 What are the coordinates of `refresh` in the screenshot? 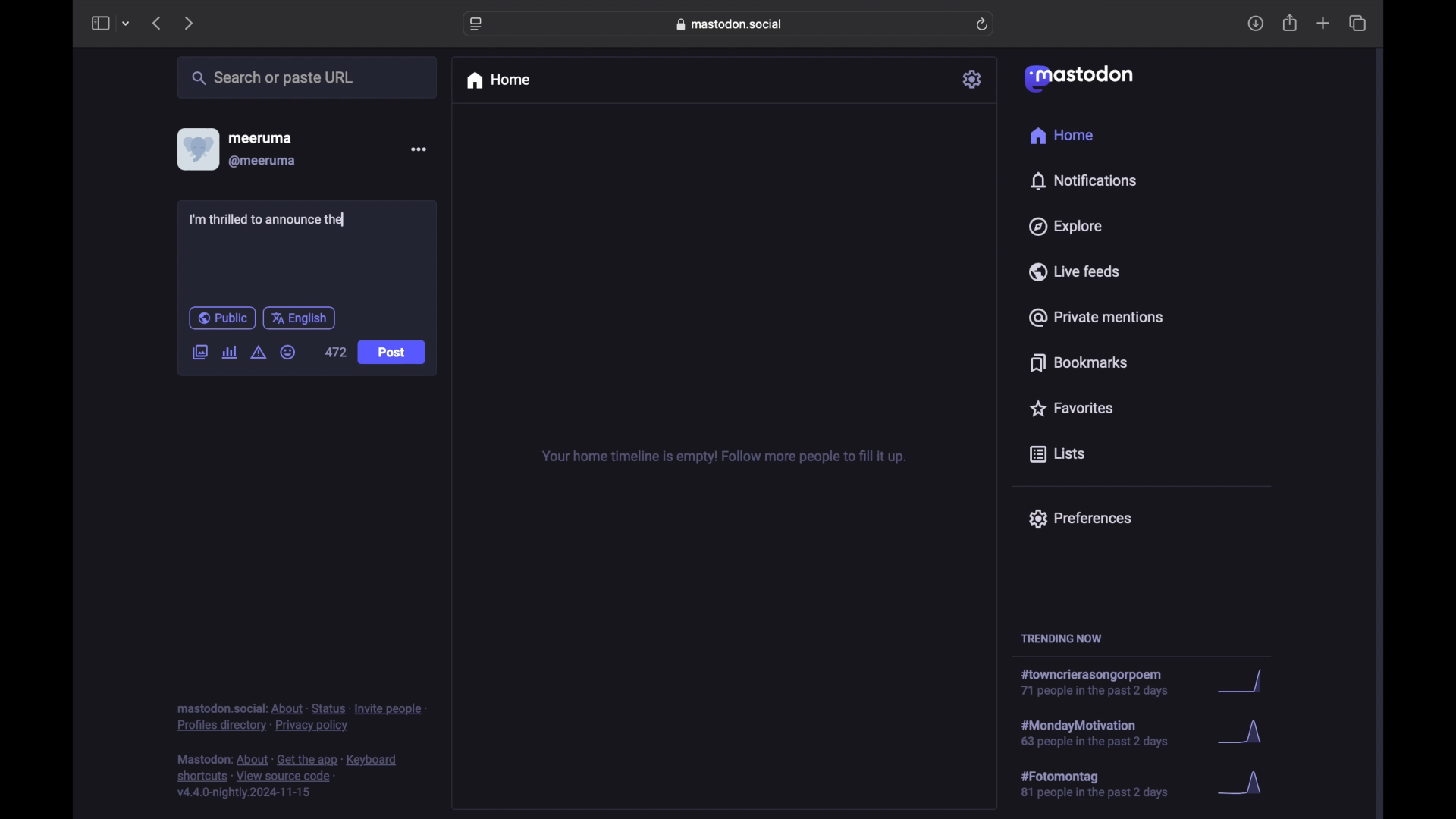 It's located at (982, 24).